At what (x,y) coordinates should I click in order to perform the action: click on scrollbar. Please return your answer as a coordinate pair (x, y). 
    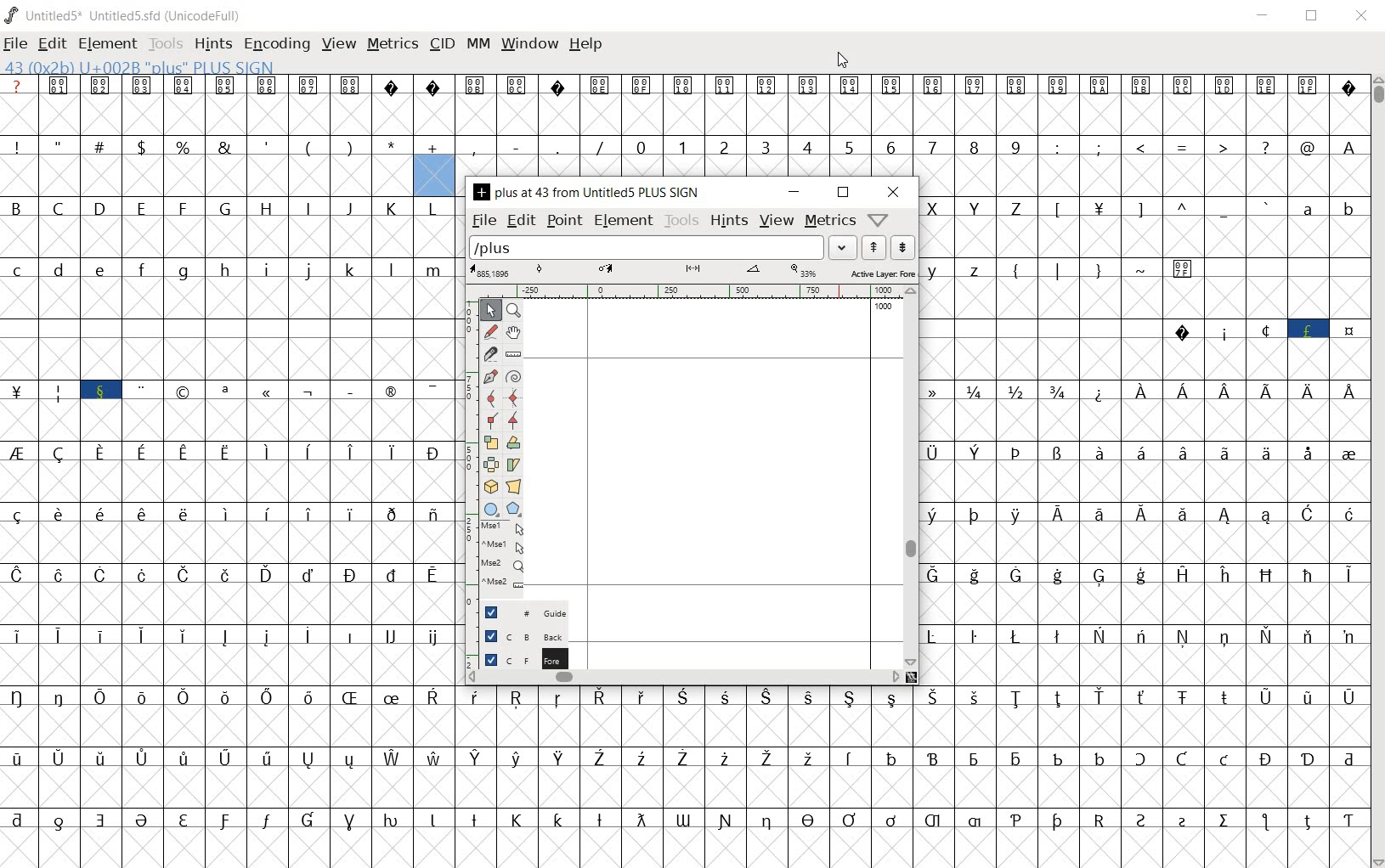
    Looking at the image, I should click on (1377, 470).